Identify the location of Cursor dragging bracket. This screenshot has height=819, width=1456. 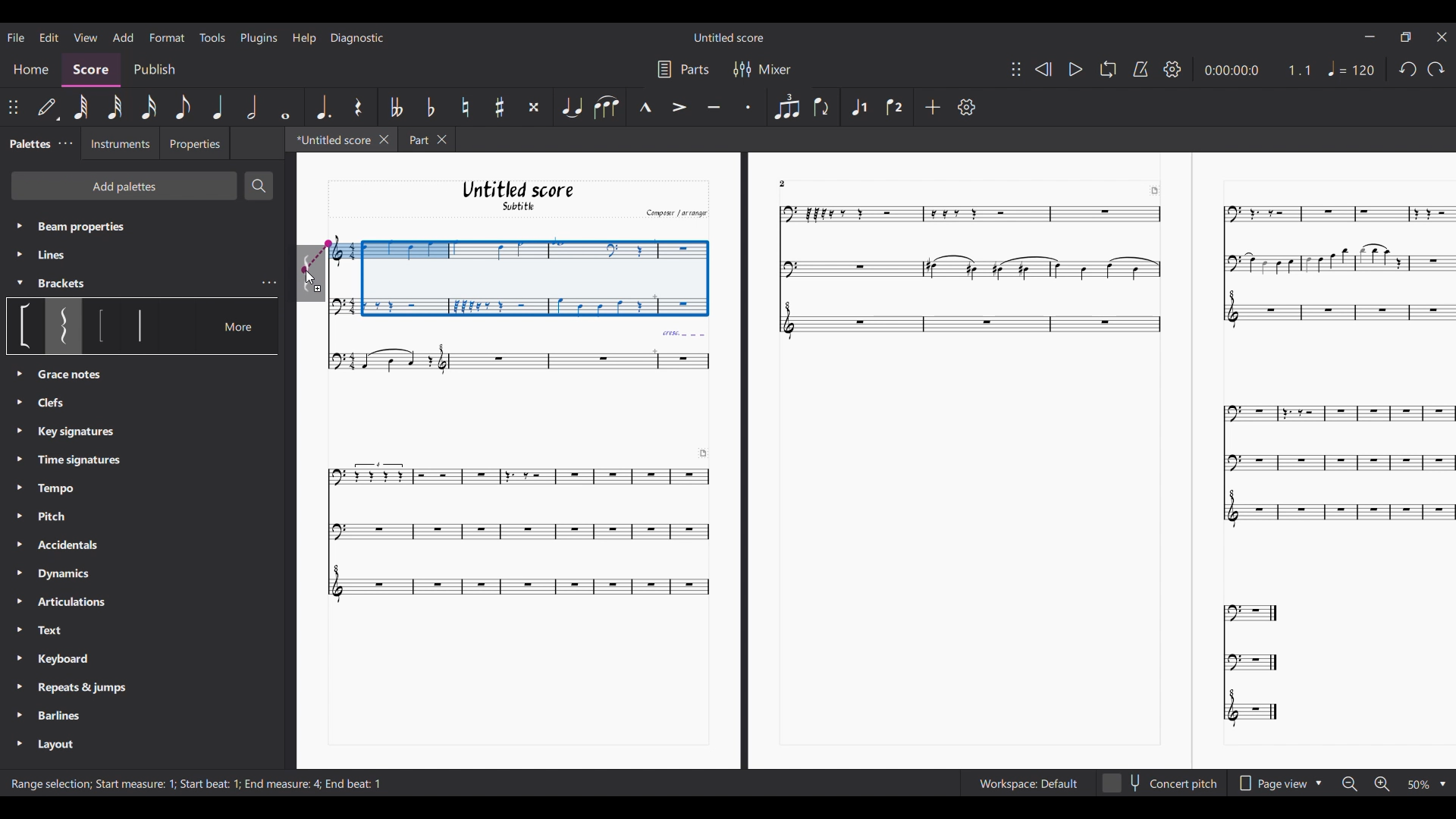
(310, 274).